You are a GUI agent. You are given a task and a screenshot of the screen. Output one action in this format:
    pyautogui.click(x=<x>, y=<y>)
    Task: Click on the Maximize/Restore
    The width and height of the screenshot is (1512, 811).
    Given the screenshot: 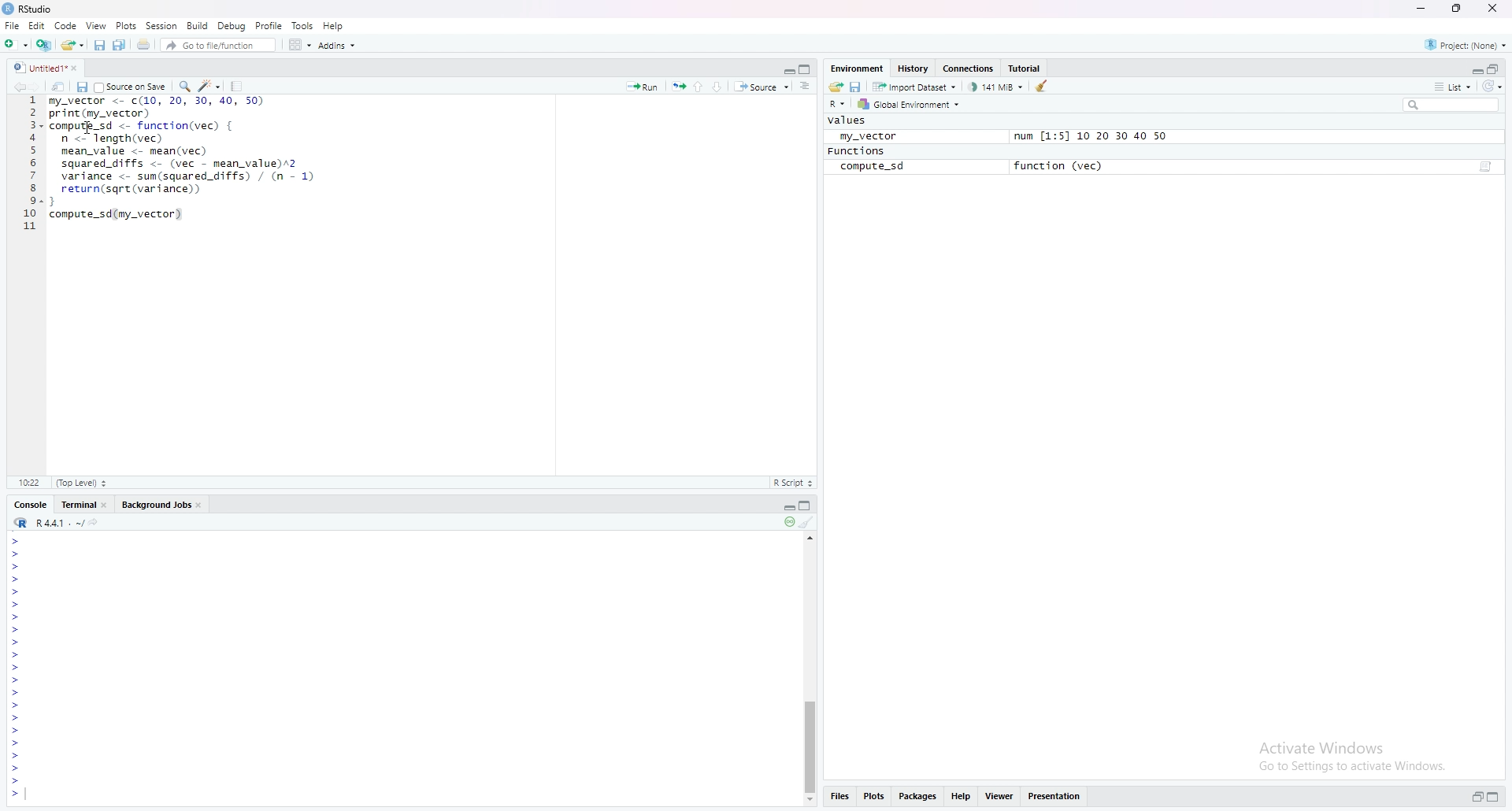 What is the action you would take?
    pyautogui.click(x=808, y=506)
    